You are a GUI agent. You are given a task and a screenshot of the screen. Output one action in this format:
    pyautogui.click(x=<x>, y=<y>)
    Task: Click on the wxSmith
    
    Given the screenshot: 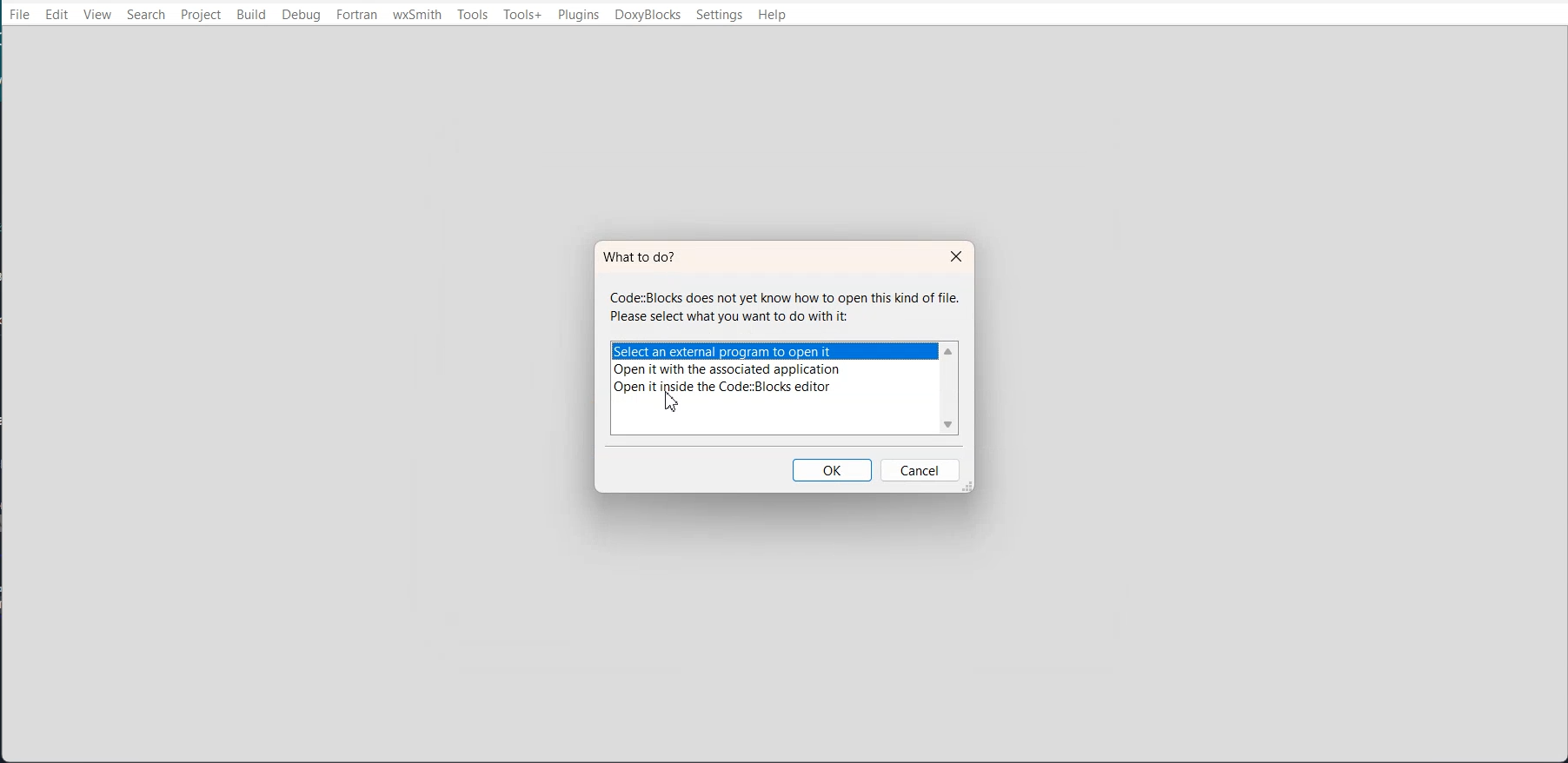 What is the action you would take?
    pyautogui.click(x=417, y=16)
    